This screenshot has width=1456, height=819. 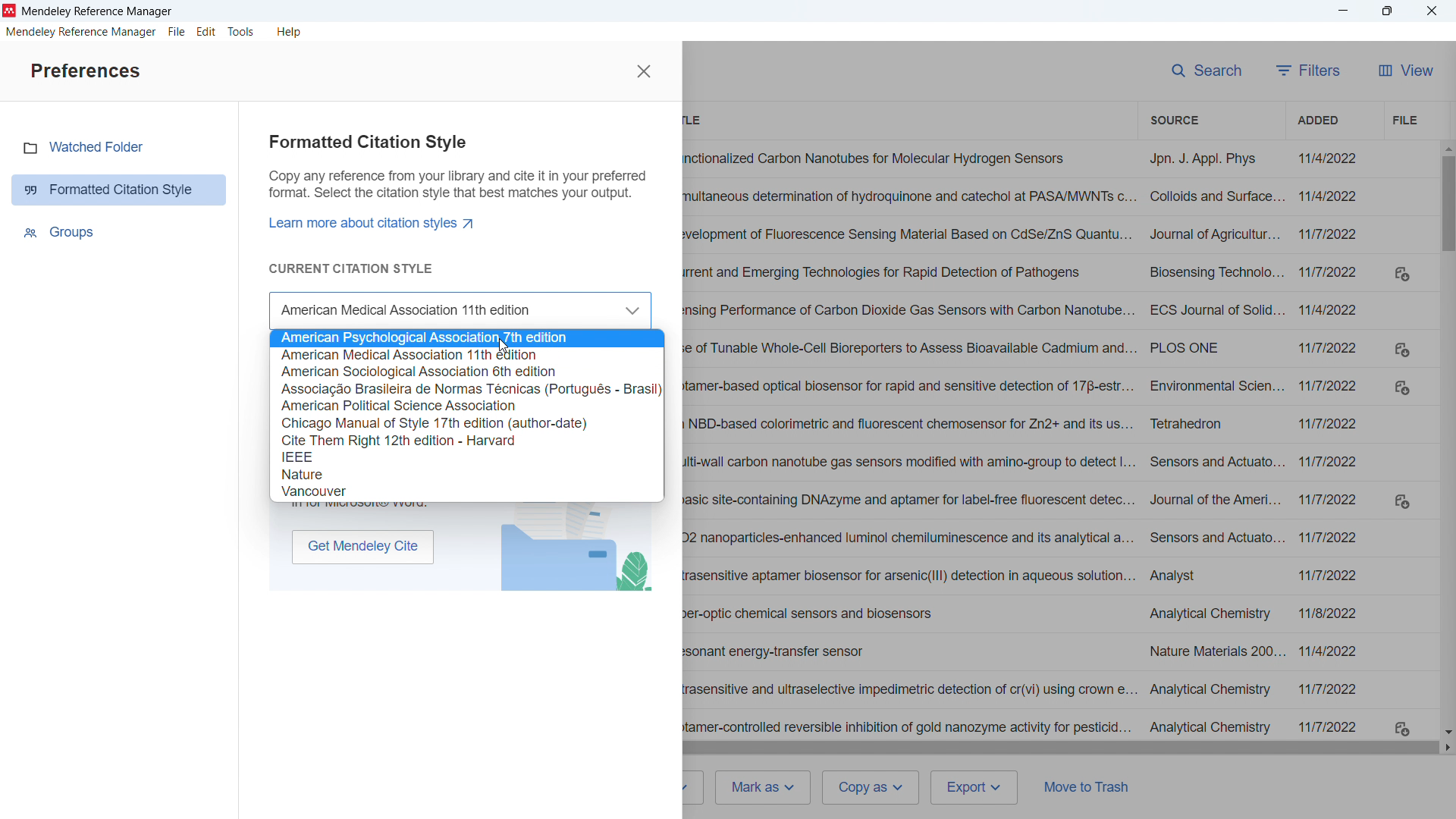 I want to click on Sort by source , so click(x=1172, y=119).